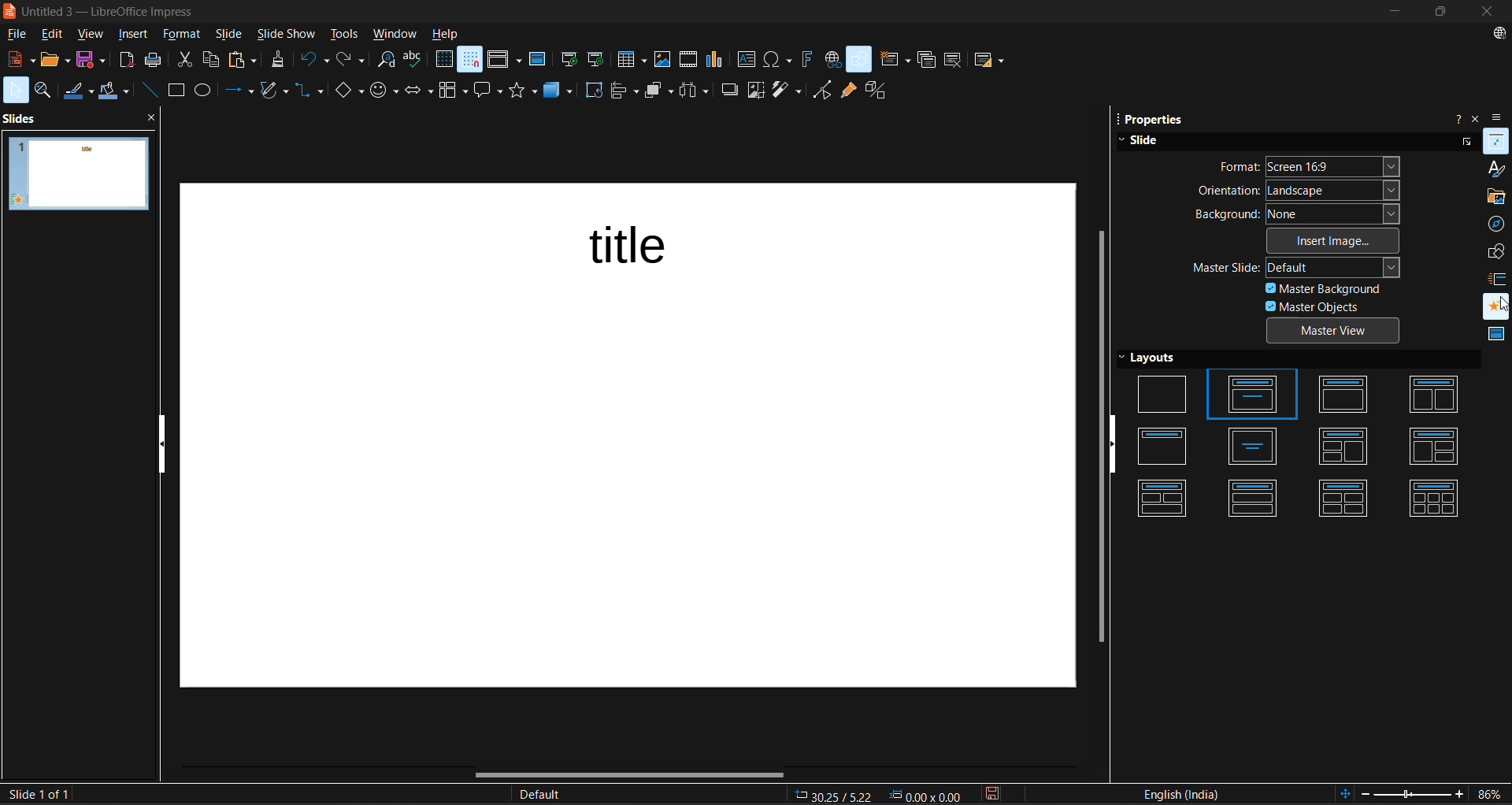  What do you see at coordinates (184, 61) in the screenshot?
I see `cut` at bounding box center [184, 61].